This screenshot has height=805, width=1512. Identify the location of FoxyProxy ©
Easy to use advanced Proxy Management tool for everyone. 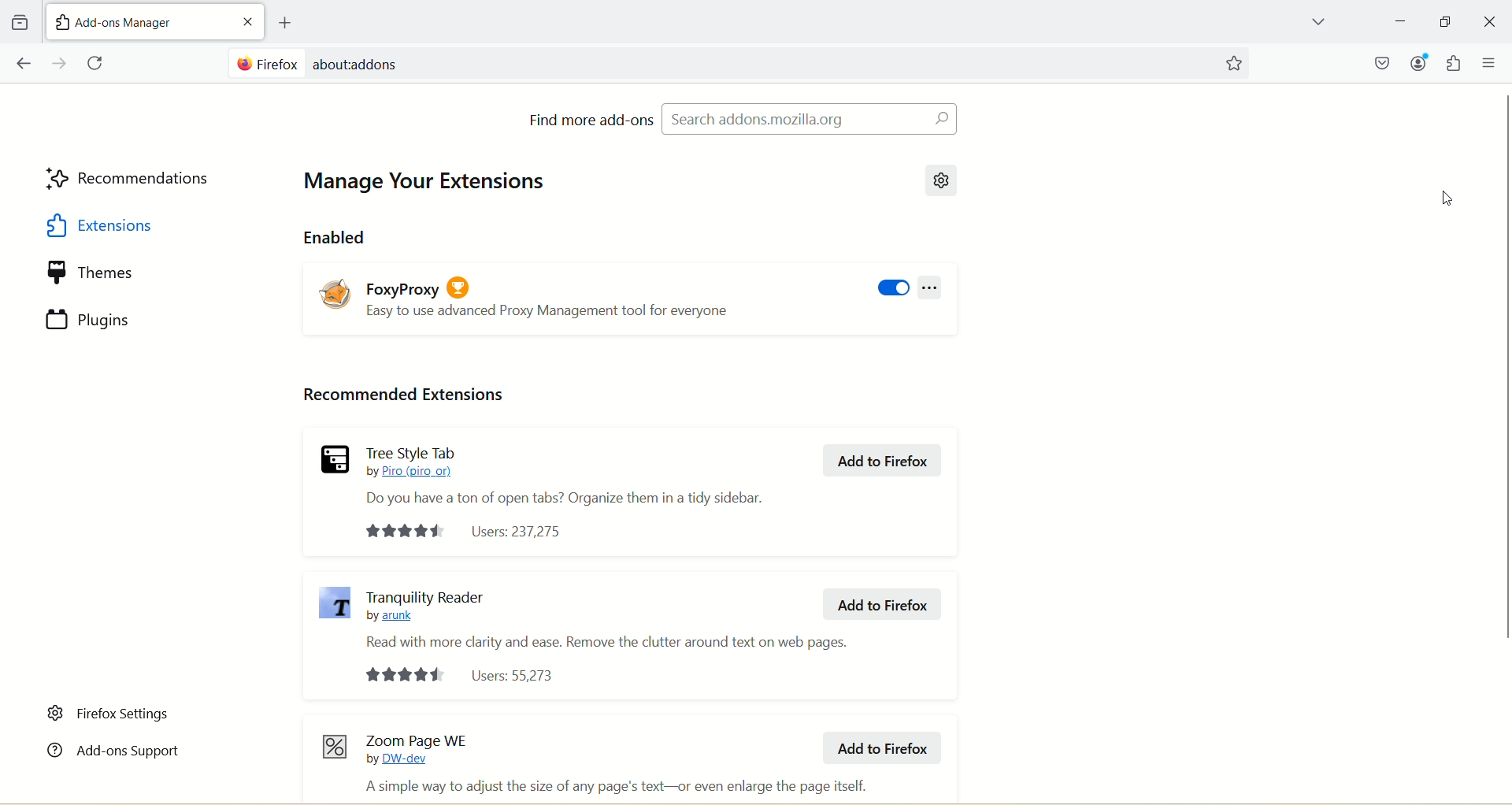
(550, 293).